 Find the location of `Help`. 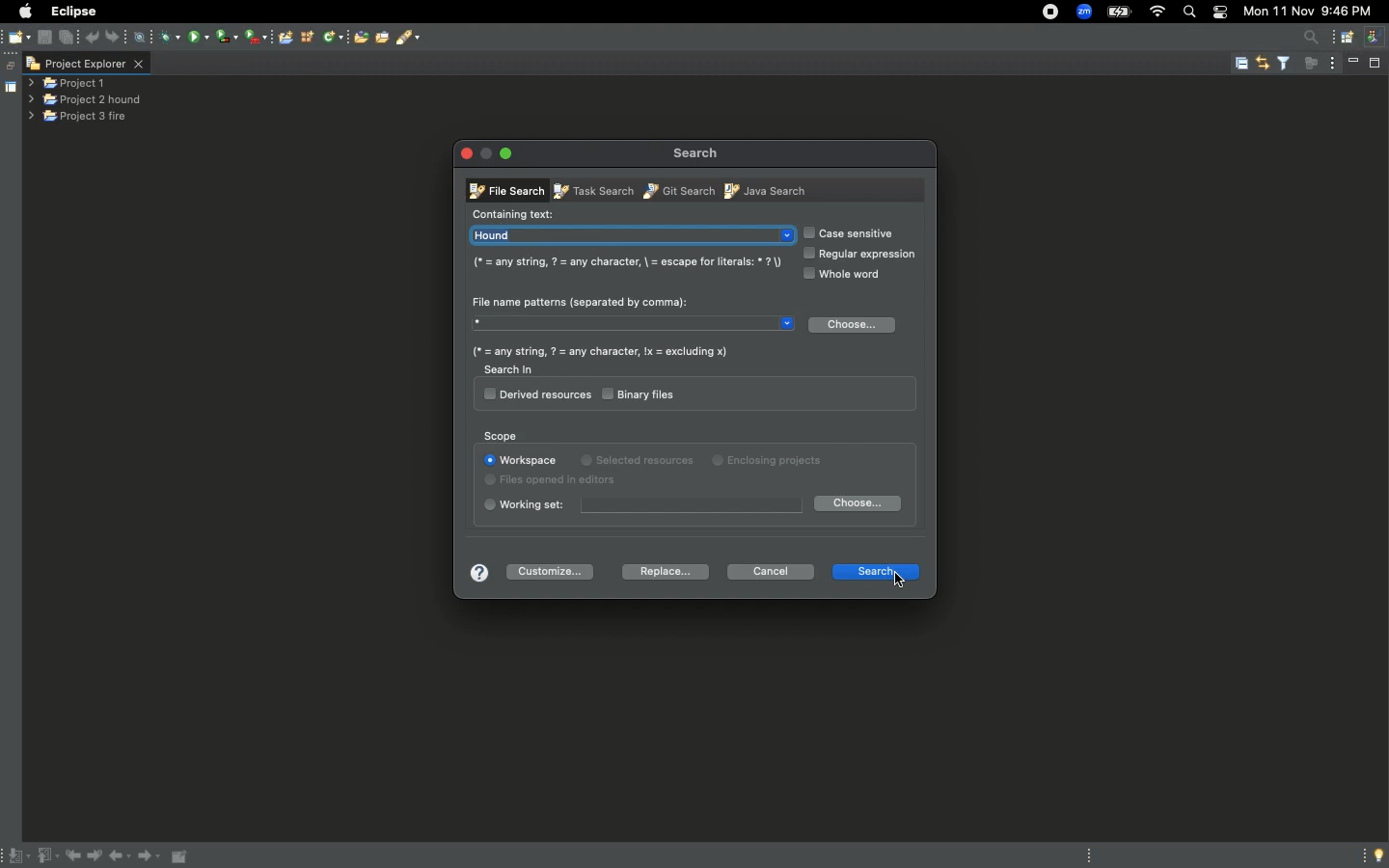

Help is located at coordinates (476, 574).